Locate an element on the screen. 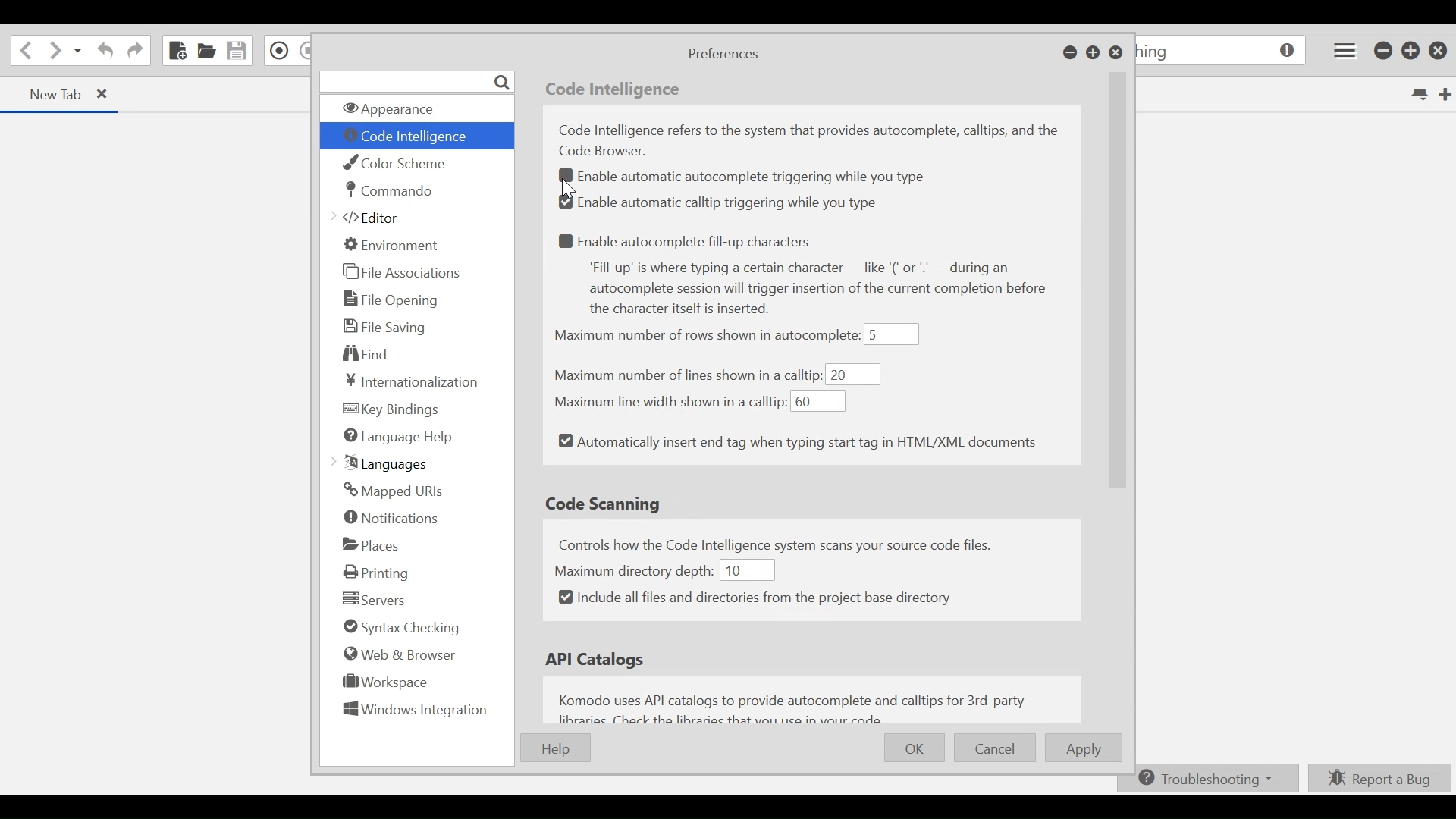 This screenshot has height=819, width=1456. enable automatic calltip triggering while you type is located at coordinates (724, 202).